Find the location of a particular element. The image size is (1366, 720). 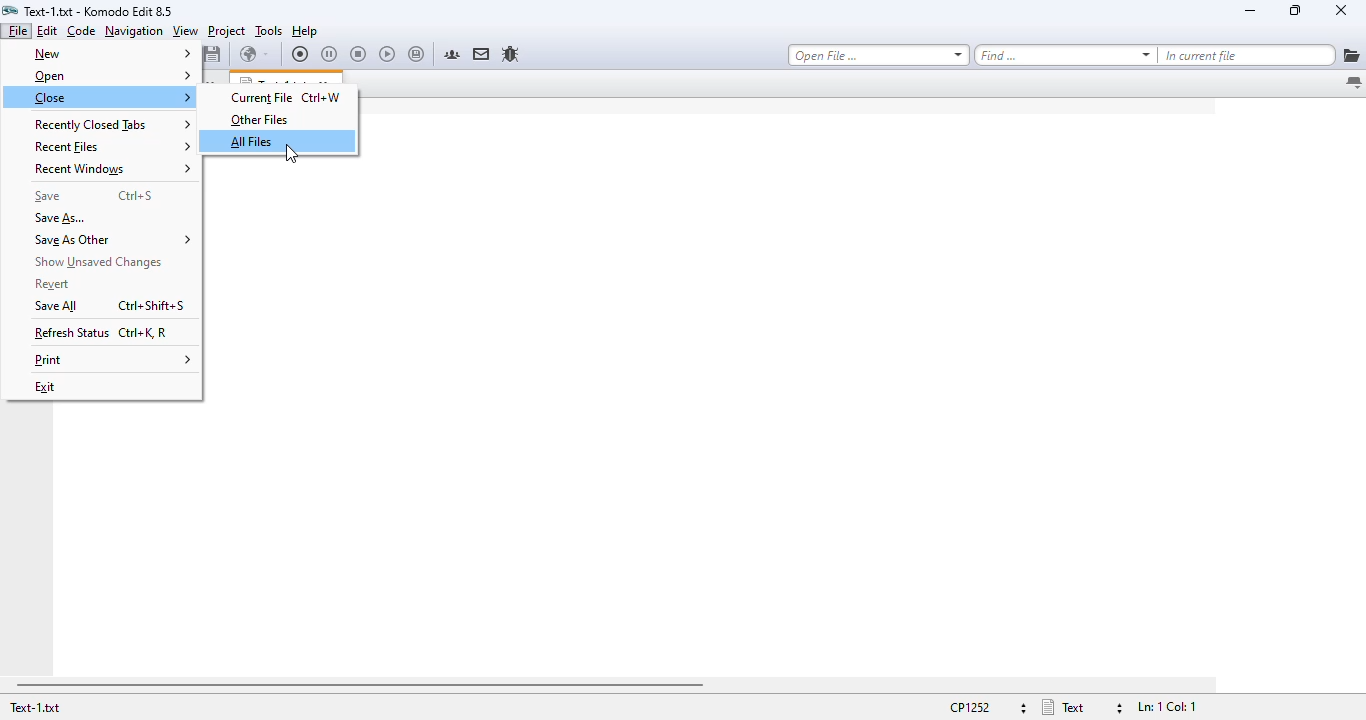

shortcut for save all is located at coordinates (154, 306).